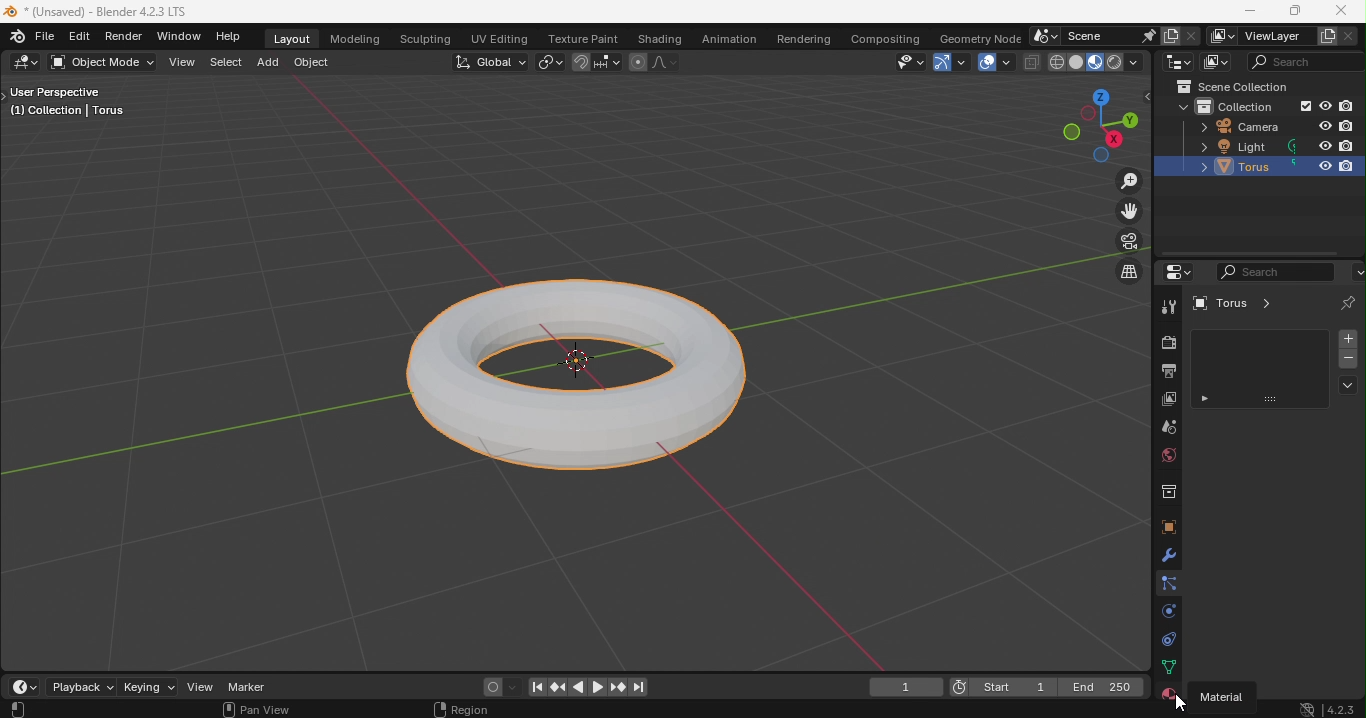  Describe the element at coordinates (233, 37) in the screenshot. I see `Help` at that location.